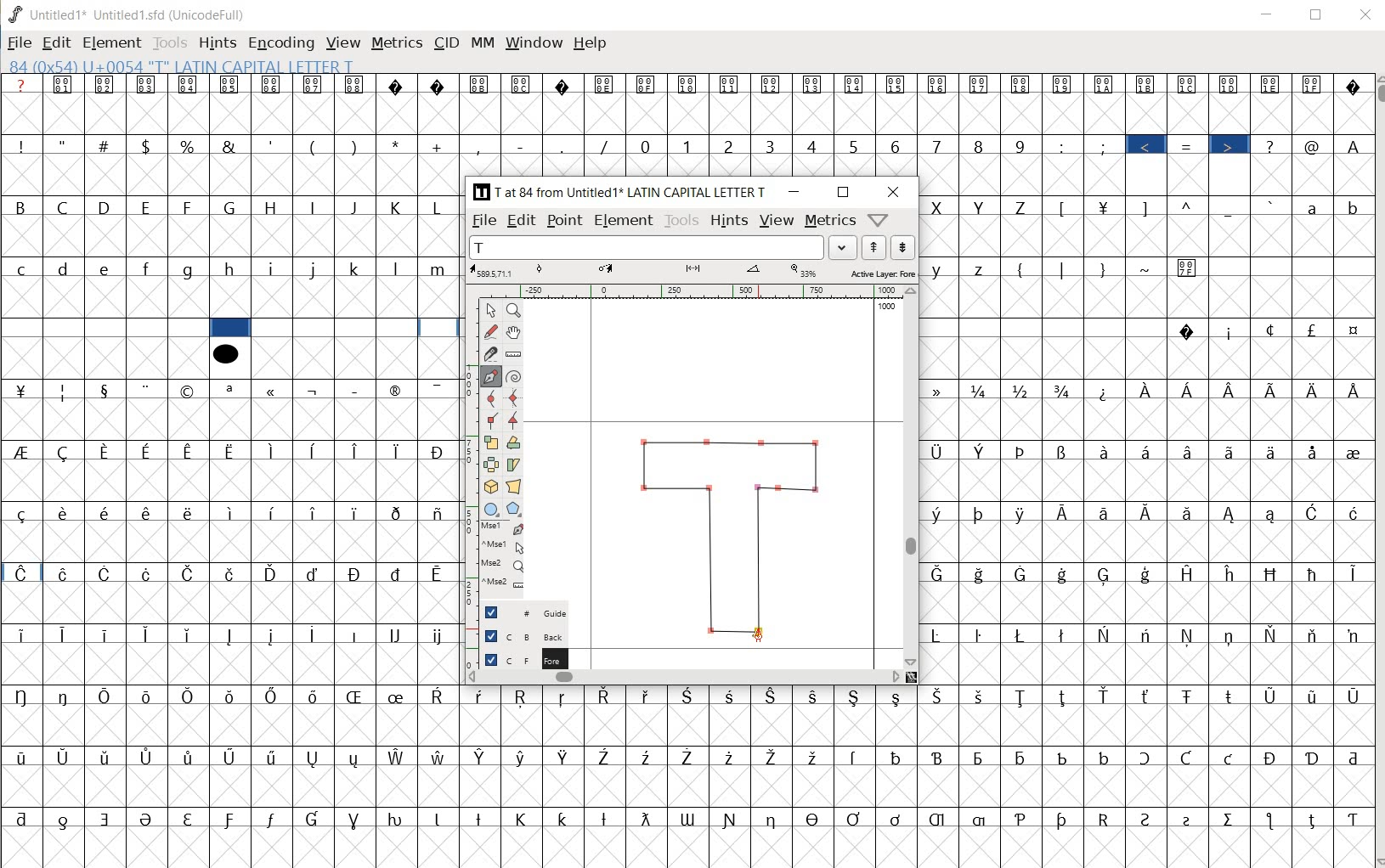 This screenshot has width=1385, height=868. What do you see at coordinates (1105, 86) in the screenshot?
I see `Symbol` at bounding box center [1105, 86].